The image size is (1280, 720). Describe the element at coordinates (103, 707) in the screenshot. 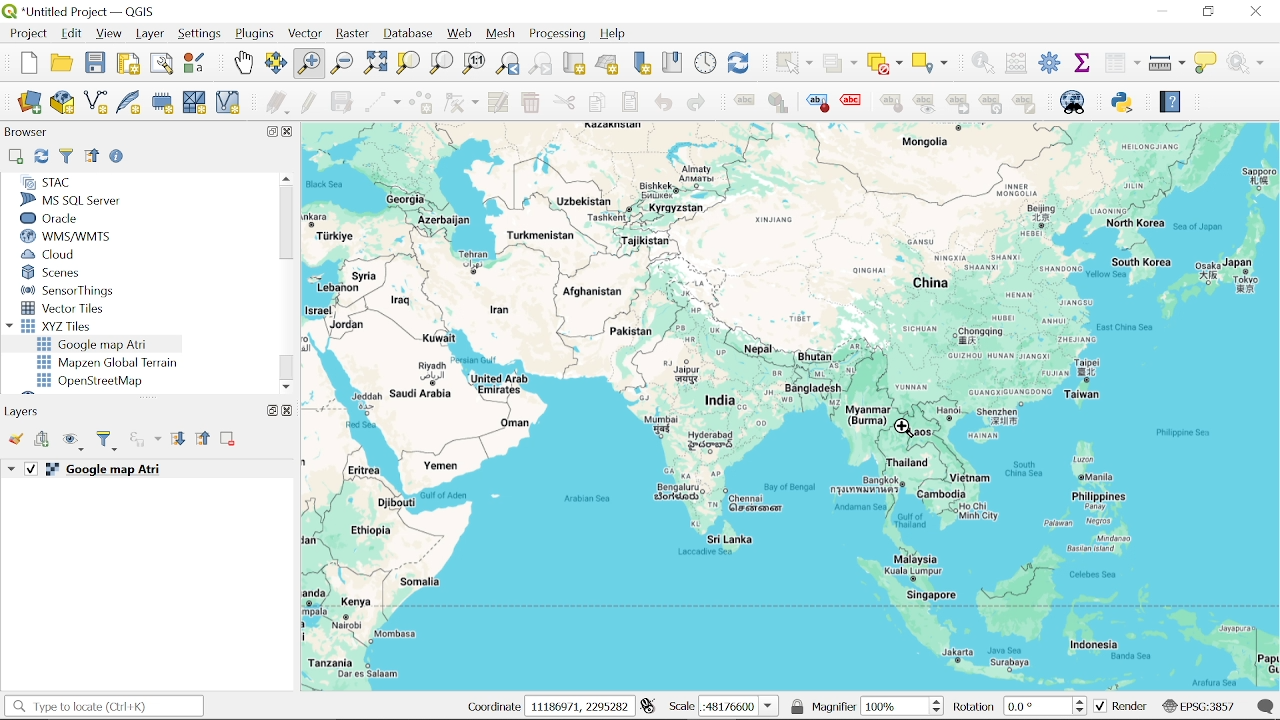

I see `Type here to locate` at that location.